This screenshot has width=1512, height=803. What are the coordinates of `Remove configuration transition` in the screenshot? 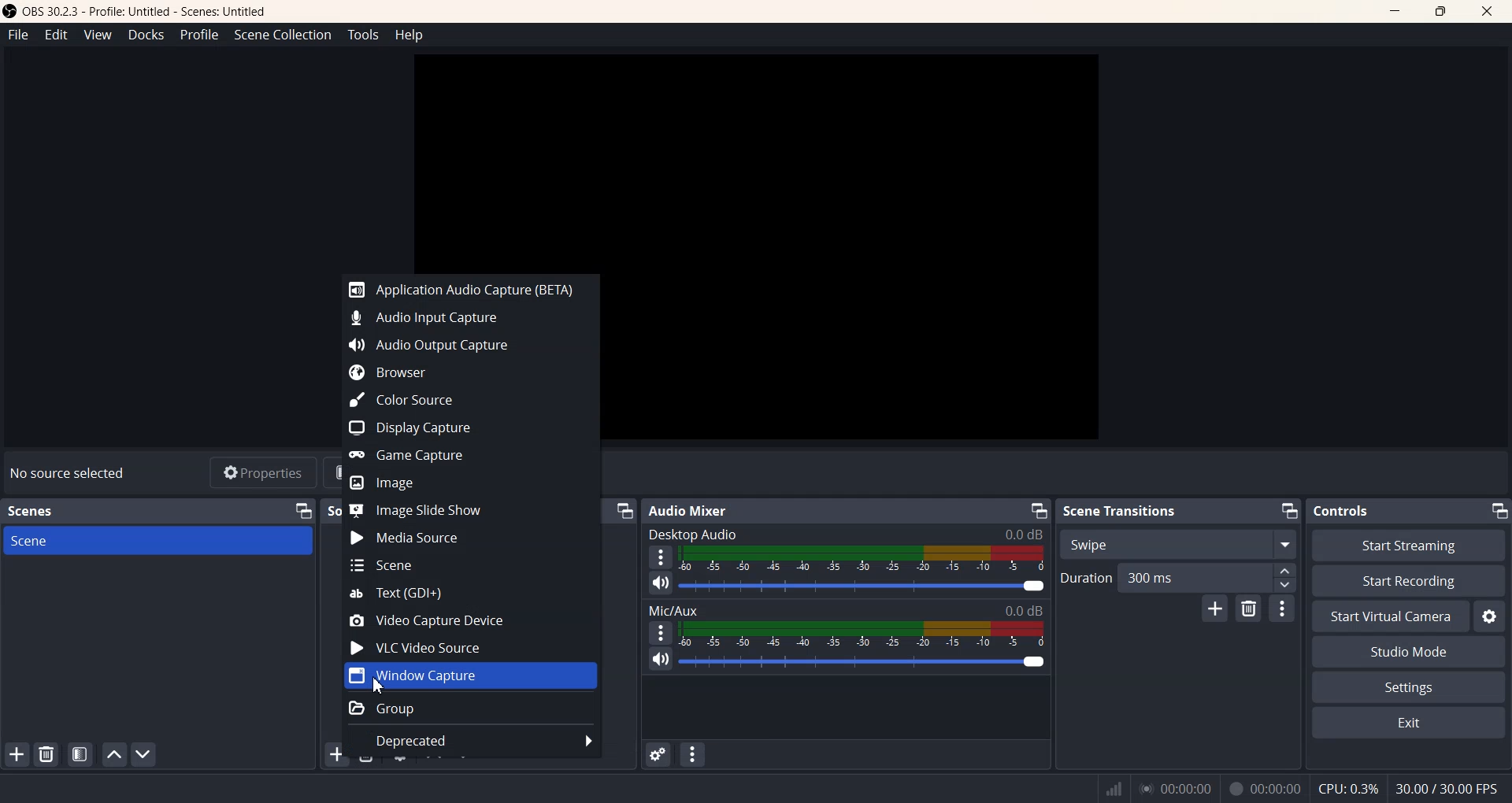 It's located at (1248, 608).